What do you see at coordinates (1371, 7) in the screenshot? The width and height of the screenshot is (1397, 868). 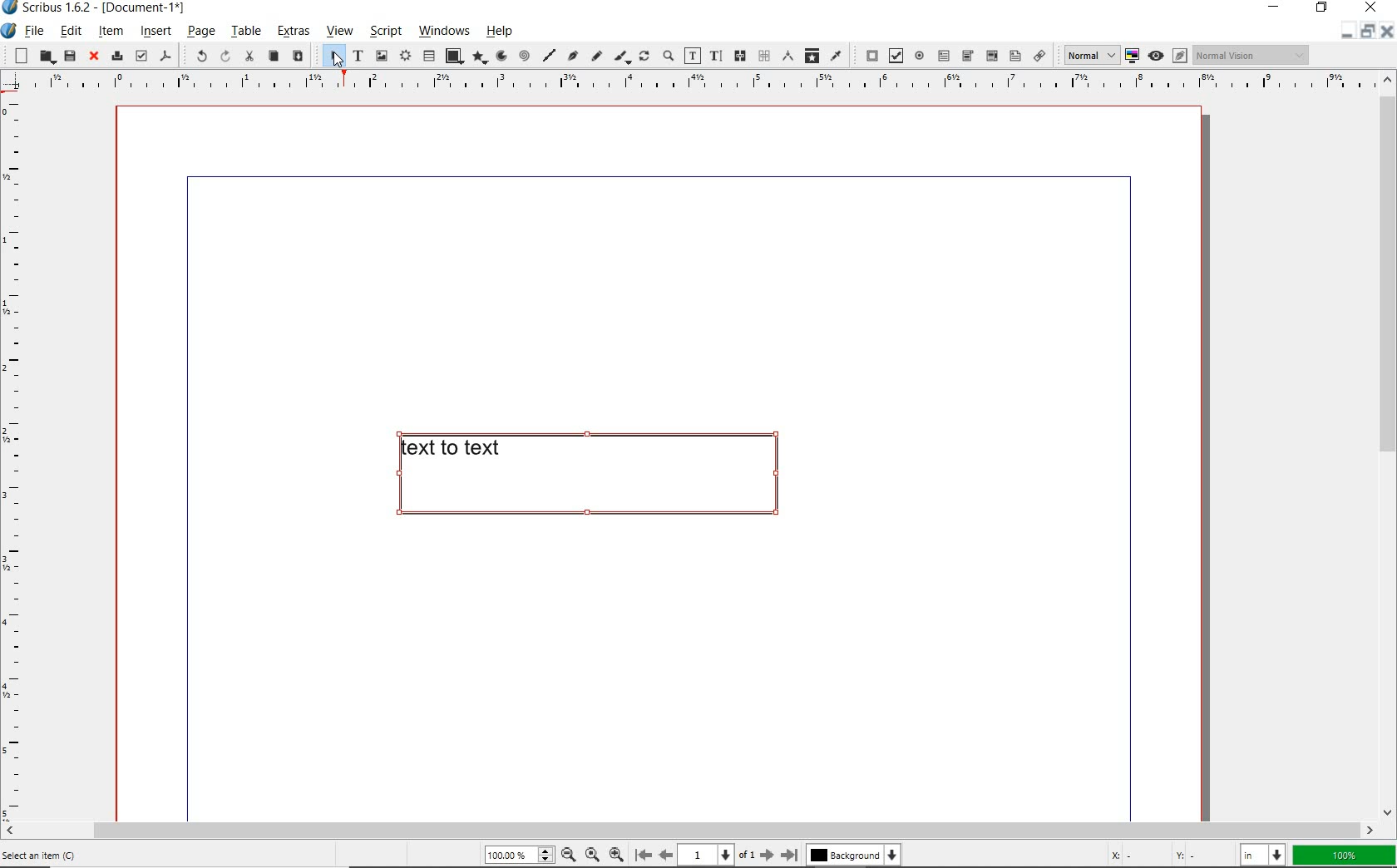 I see `close` at bounding box center [1371, 7].